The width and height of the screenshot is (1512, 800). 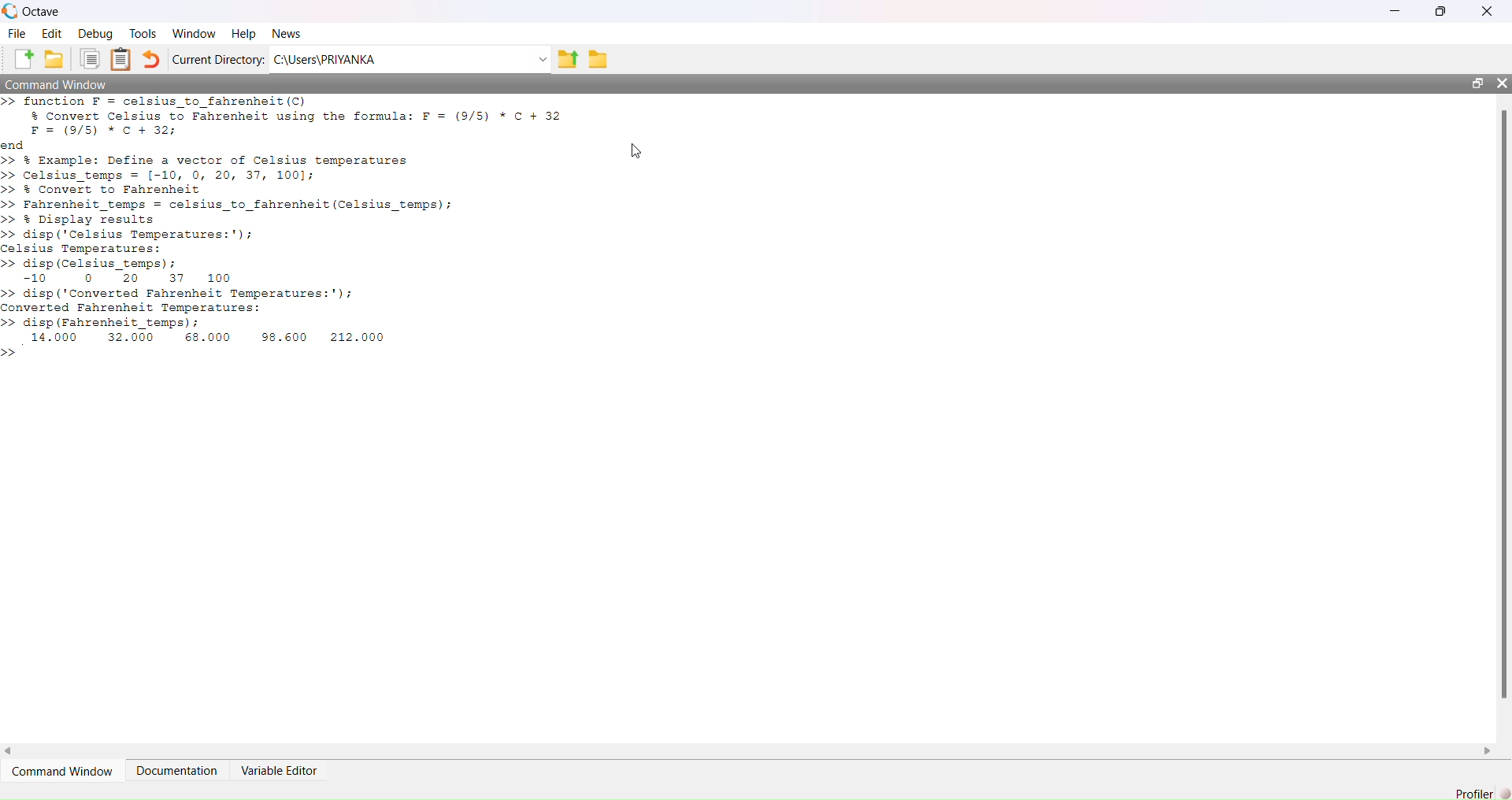 I want to click on >> function F = celsius _to_fahrenheit(C)
% Convert Celsius to Fahrenheit using the formula: F = (9/5) * C + 32
F = (9/5) * C+ 32;
end
>> § Example: Define a vector of Celsius temperatures
>> Celsius_temps = [-10, 0, 20, 37, 100];
>> % Convert to Fahrenheit
>> Fahrenheit_temps = celsius_to_fahrenheit (Celsius_temps);
>> % Display results
>> disp ('Celsius Temperatures:');
celsius Temperatures:
>> disp (Celsius_temps);
-10 0 "20 37 100
>> disp ('Converted Fahrenheit Temperatures:');
converted Fahrenheit Temperatures:
>> disp (Fahrenheit_temps);
14.000 32.000 68.000 98.600 212.000
>>, so click(x=292, y=229).